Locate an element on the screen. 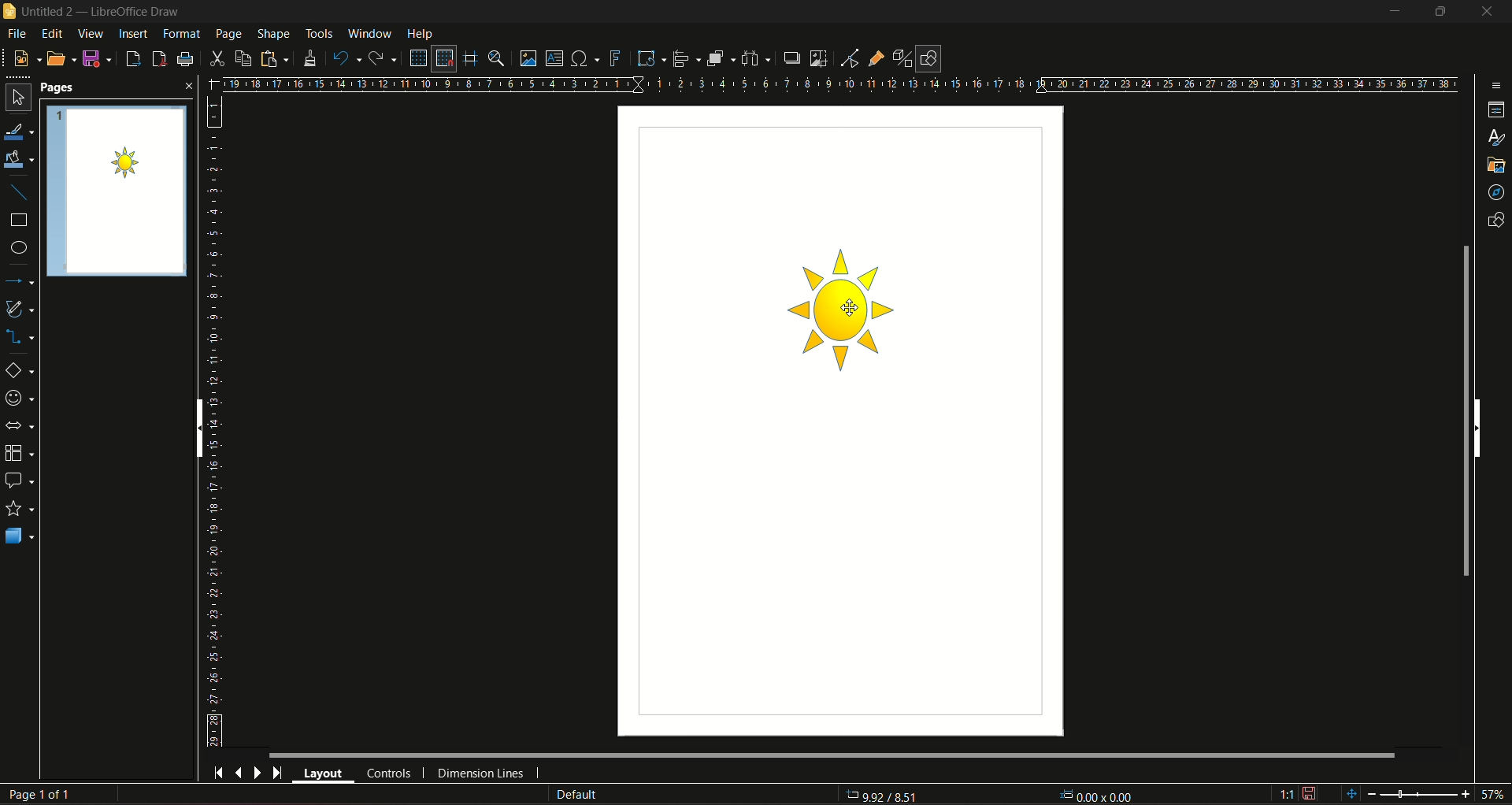 The image size is (1512, 805). basic shapes is located at coordinates (18, 370).